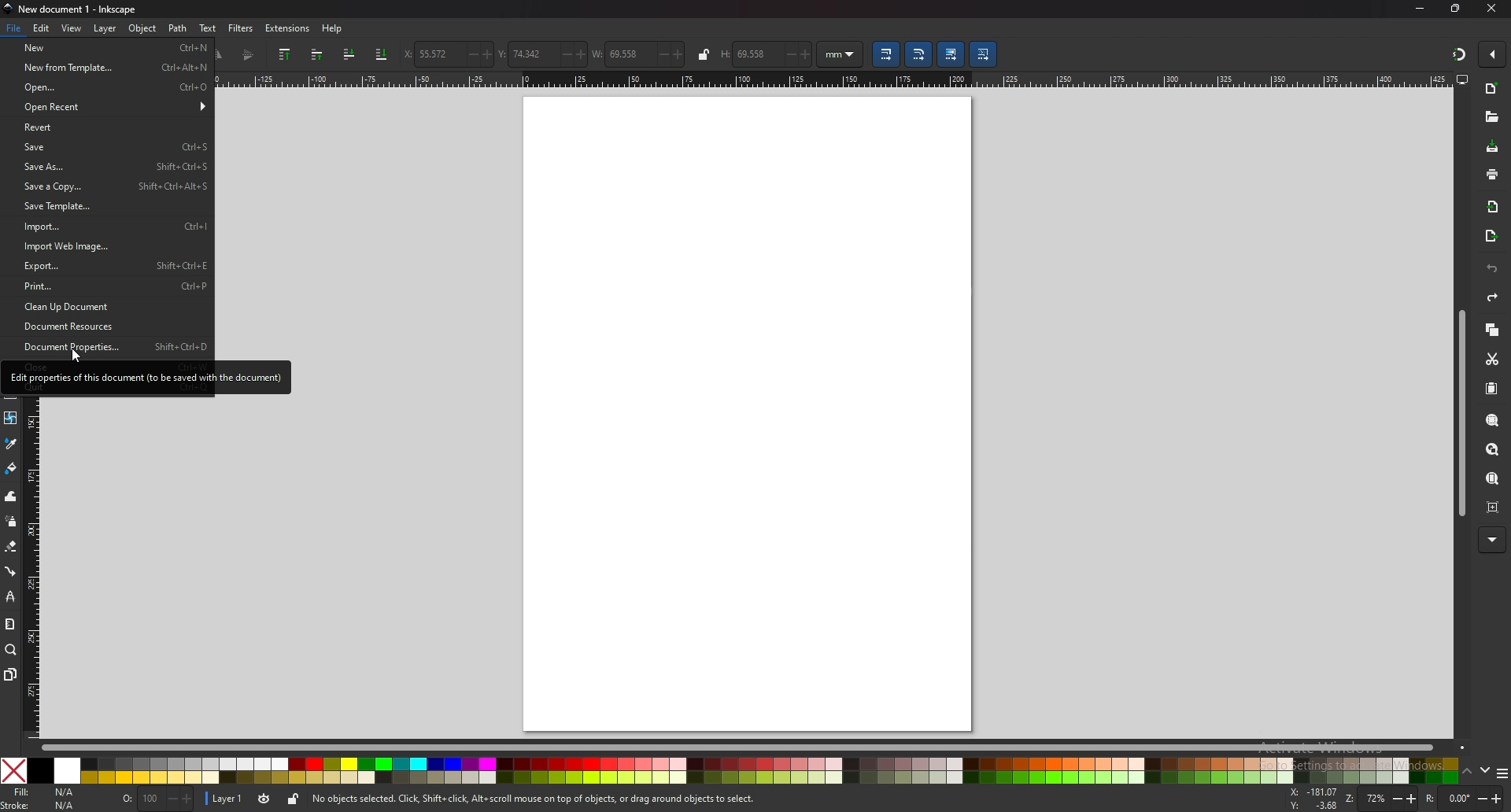 Image resolution: width=1511 pixels, height=812 pixels. I want to click on new from template, so click(112, 67).